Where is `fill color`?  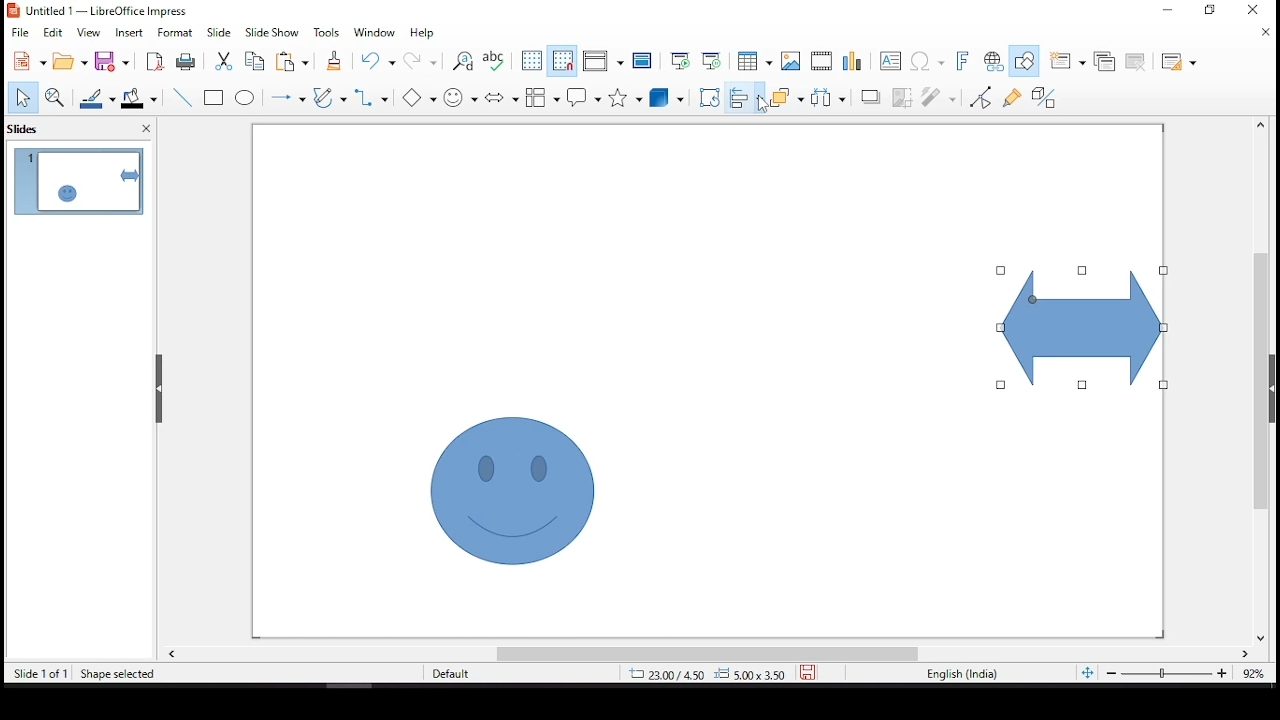
fill color is located at coordinates (143, 98).